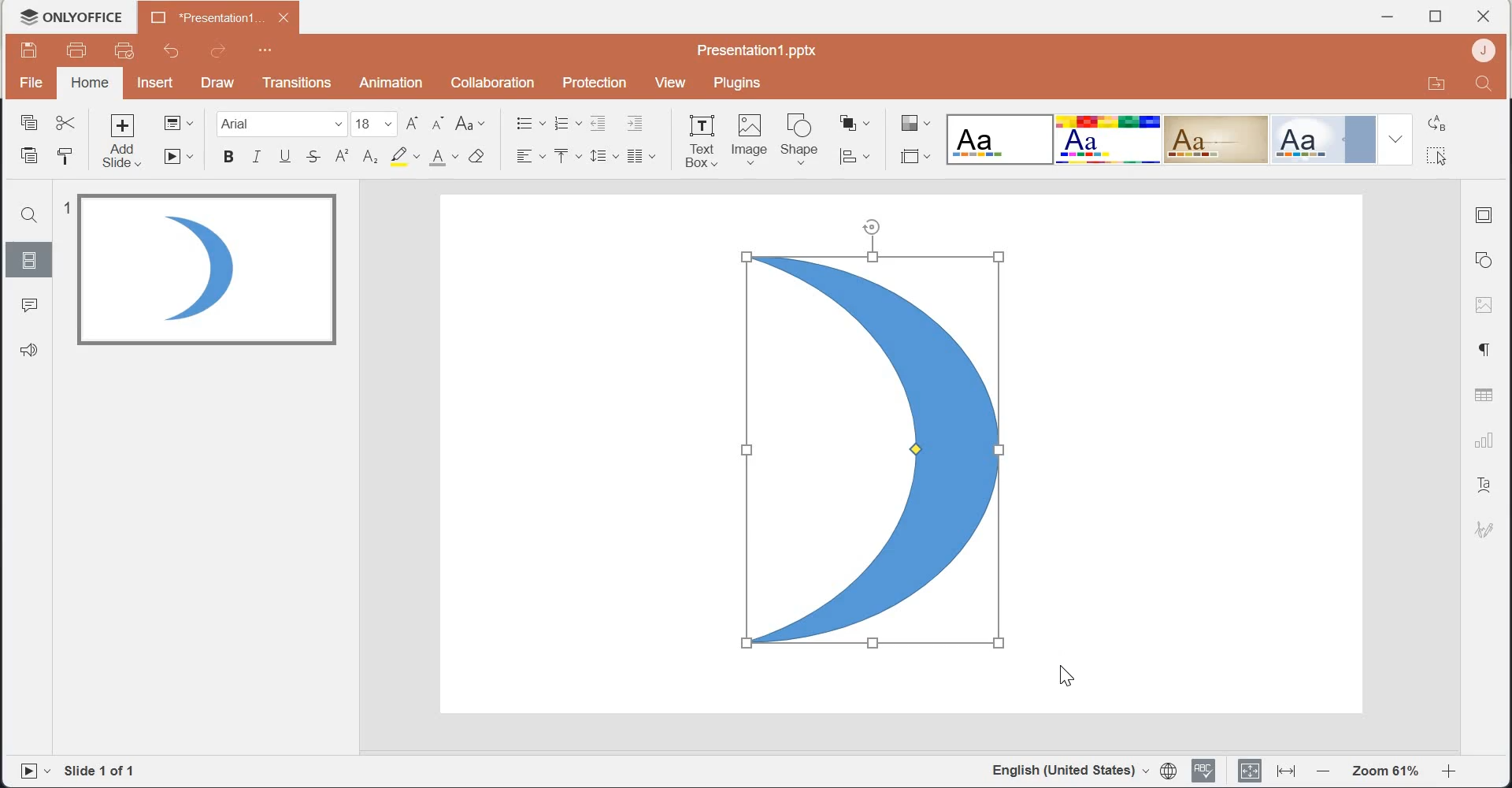 Image resolution: width=1512 pixels, height=788 pixels. I want to click on Collaboration, so click(493, 82).